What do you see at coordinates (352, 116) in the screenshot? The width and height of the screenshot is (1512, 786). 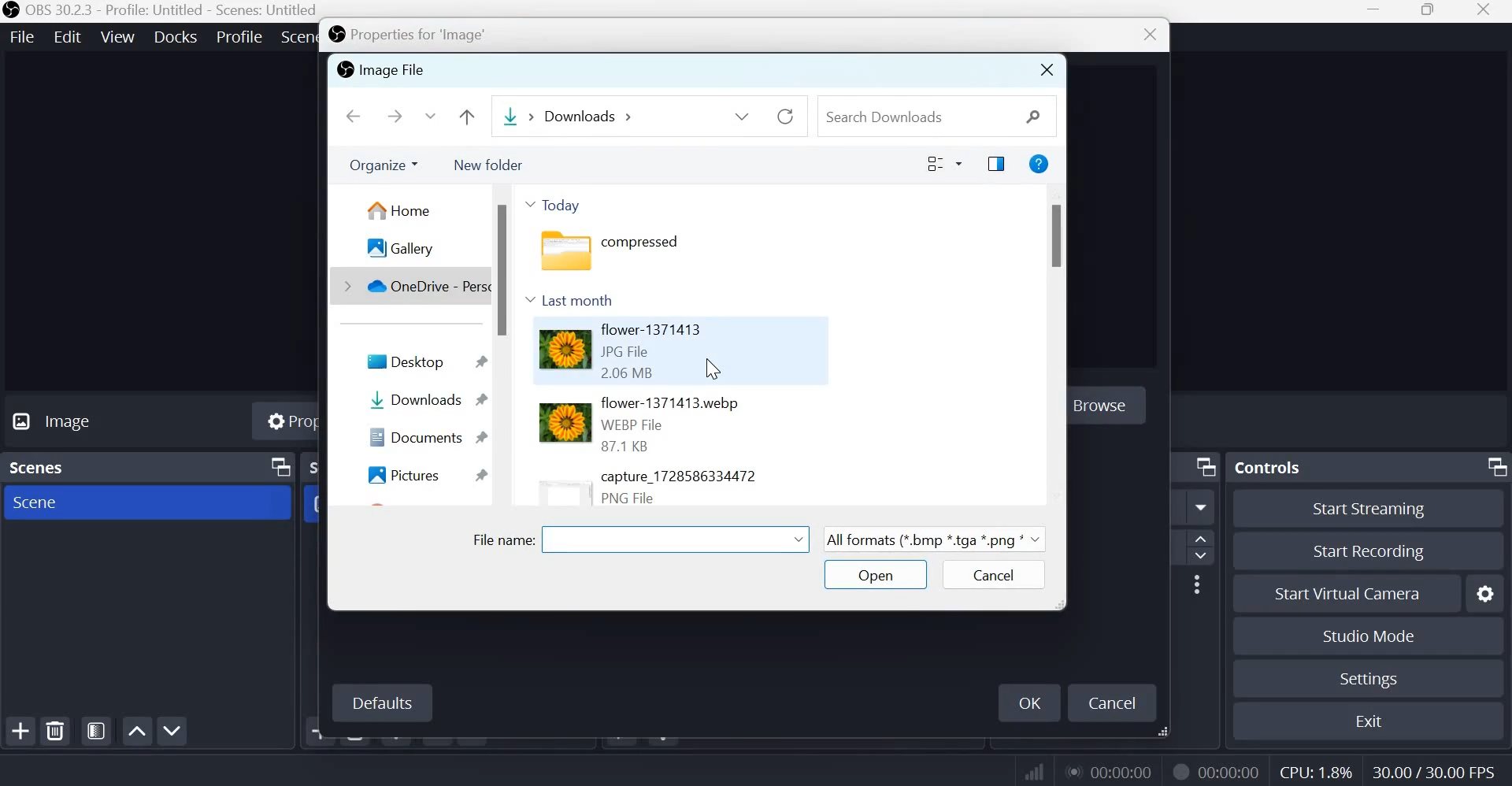 I see `Back to home` at bounding box center [352, 116].